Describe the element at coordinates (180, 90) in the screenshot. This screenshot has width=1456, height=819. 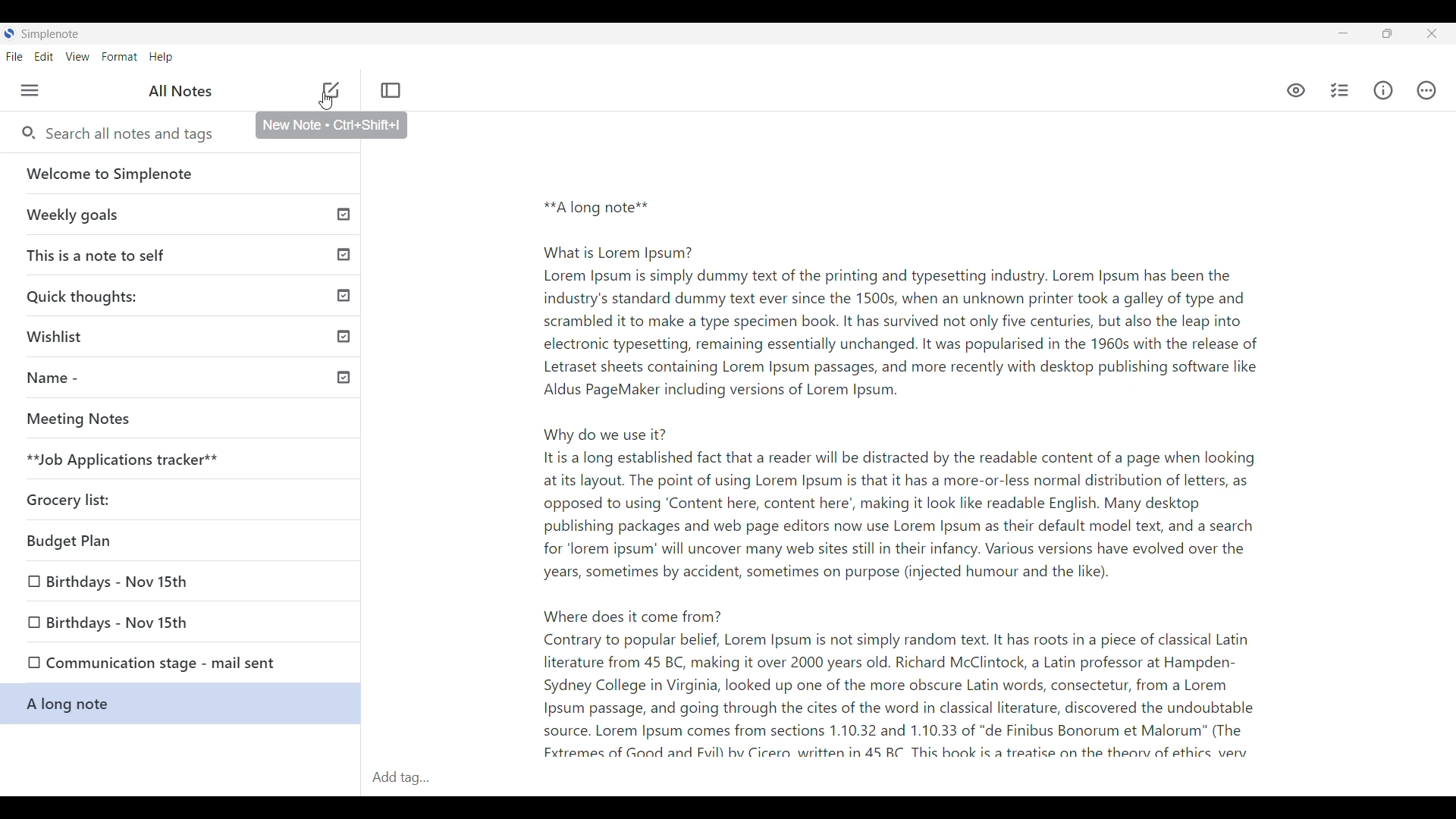
I see `All notes` at that location.